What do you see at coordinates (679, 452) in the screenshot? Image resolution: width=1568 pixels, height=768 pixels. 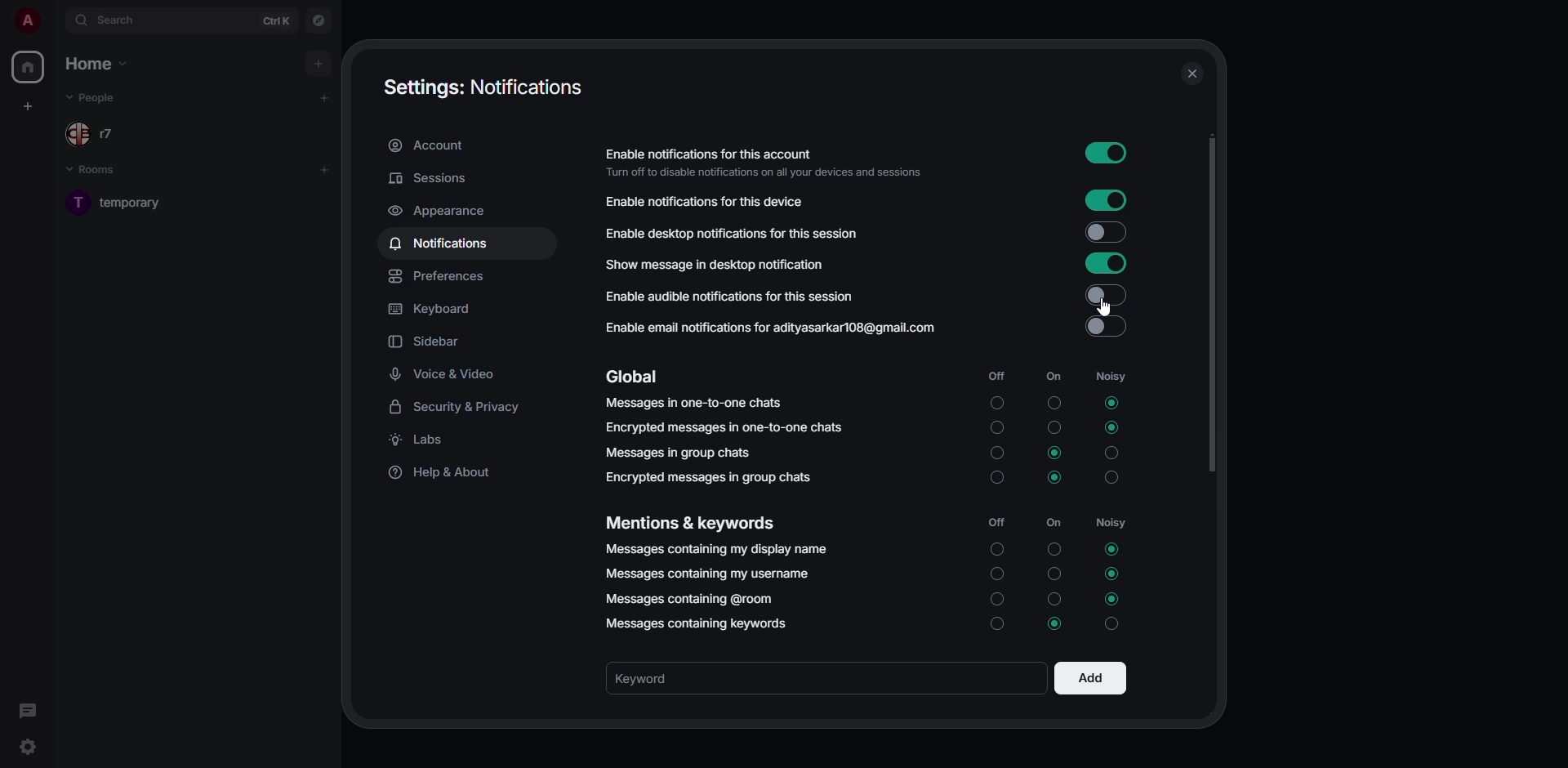 I see `messages in group chat` at bounding box center [679, 452].